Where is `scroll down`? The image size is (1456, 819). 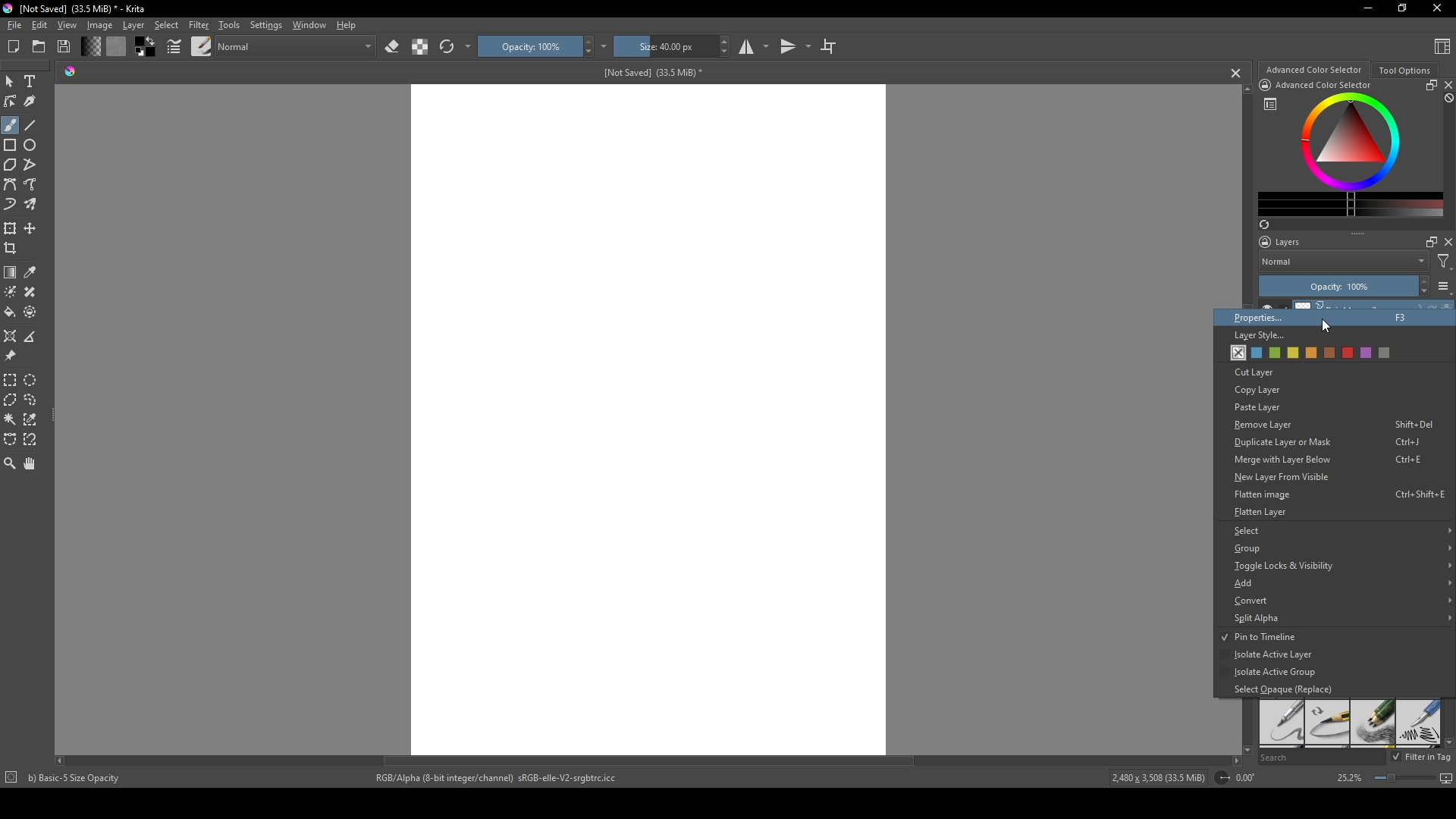 scroll down is located at coordinates (1447, 742).